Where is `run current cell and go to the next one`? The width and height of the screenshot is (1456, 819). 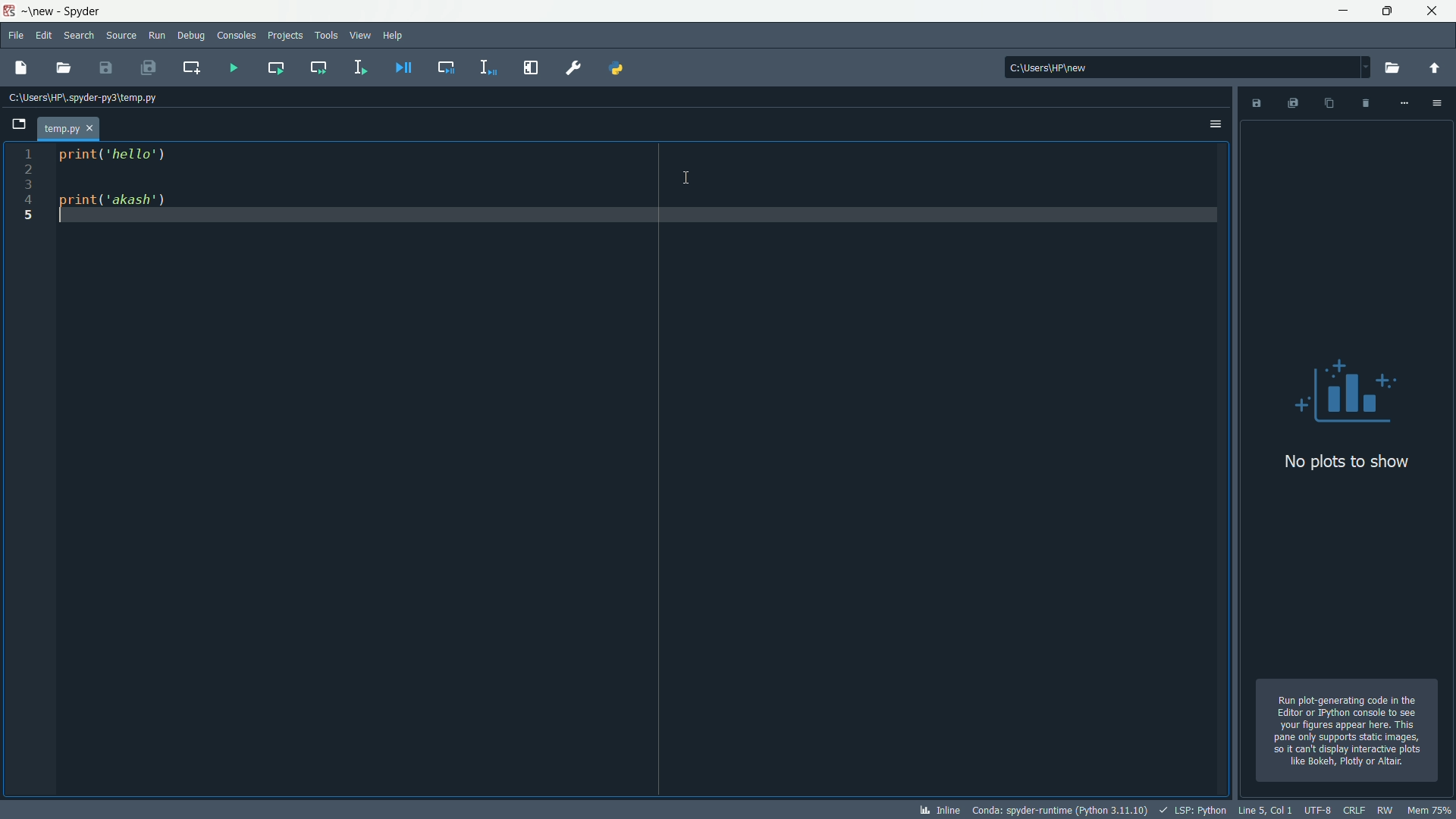
run current cell and go to the next one is located at coordinates (317, 66).